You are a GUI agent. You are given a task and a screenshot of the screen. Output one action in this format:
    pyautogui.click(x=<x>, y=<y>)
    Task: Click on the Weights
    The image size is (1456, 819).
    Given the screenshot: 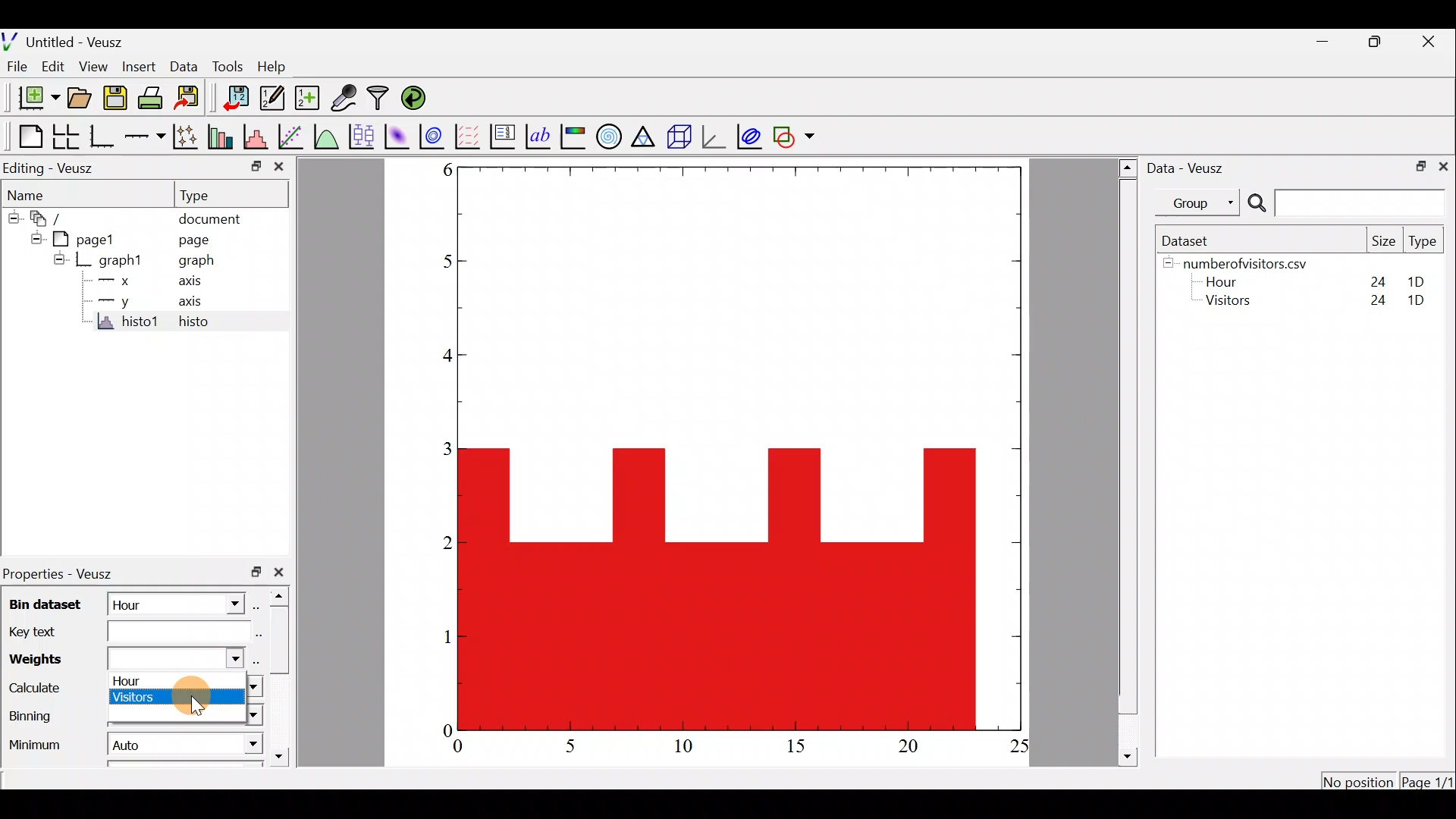 What is the action you would take?
    pyautogui.click(x=124, y=661)
    